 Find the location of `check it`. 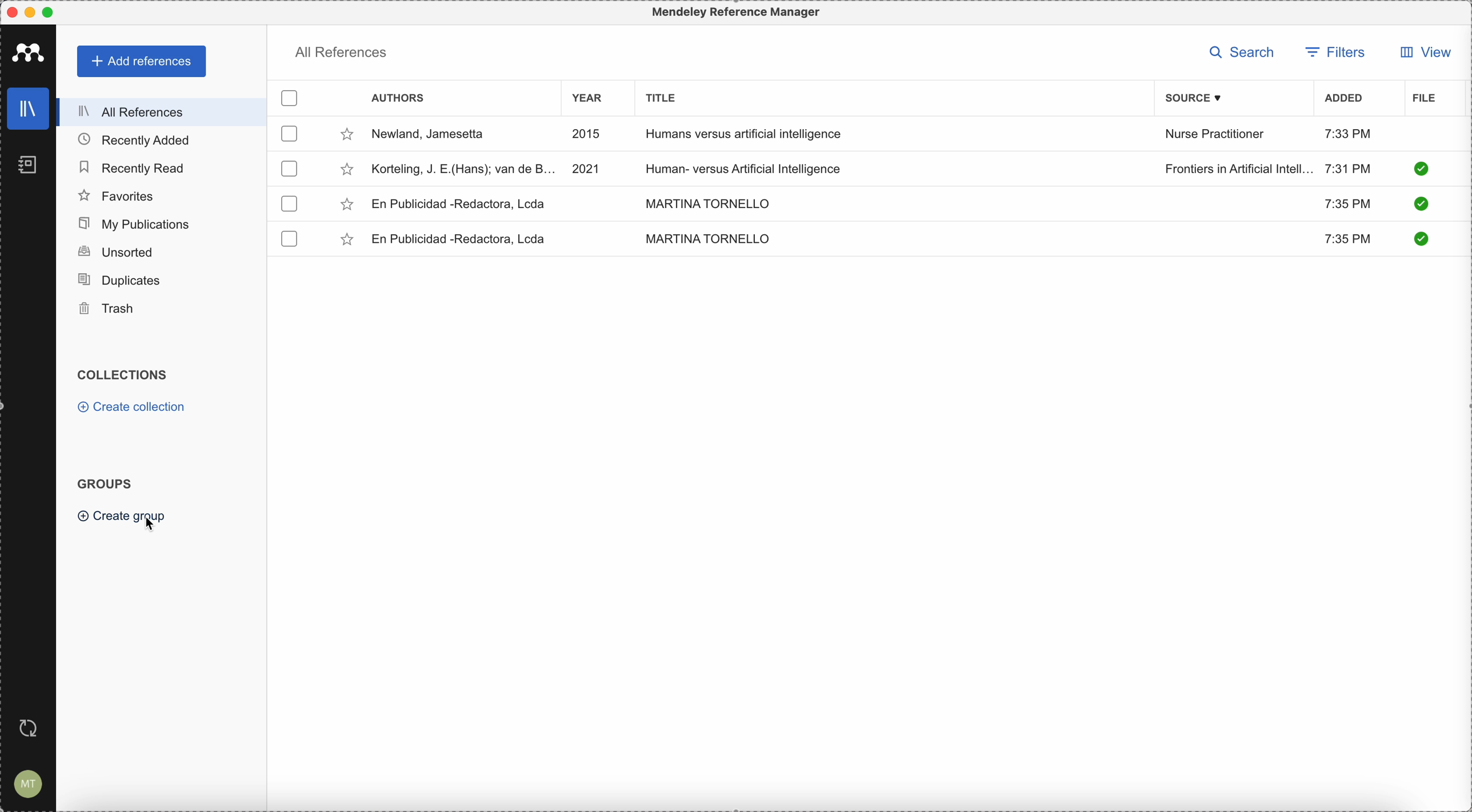

check it is located at coordinates (1419, 238).